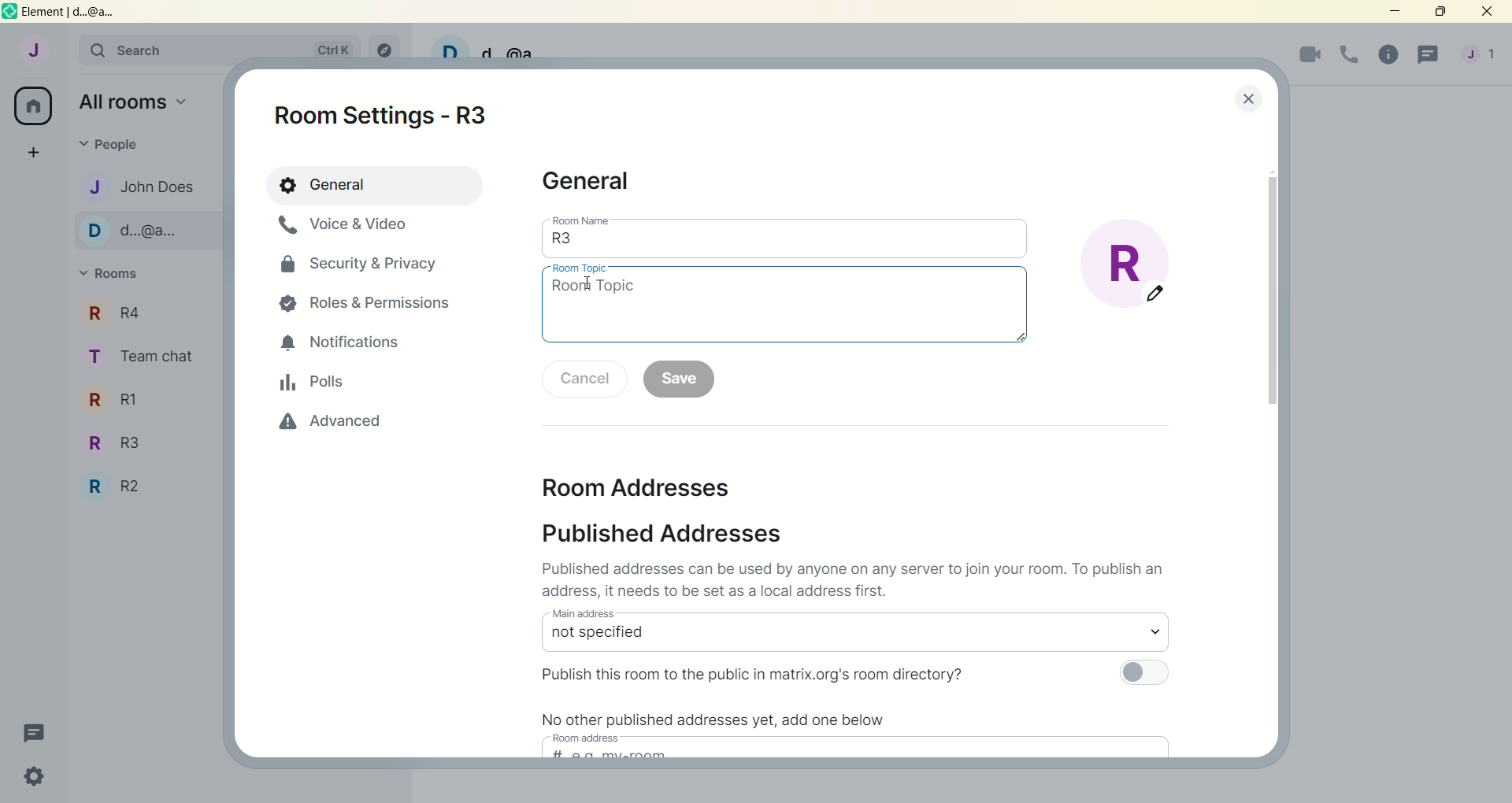 This screenshot has height=803, width=1512. I want to click on create a space, so click(31, 151).